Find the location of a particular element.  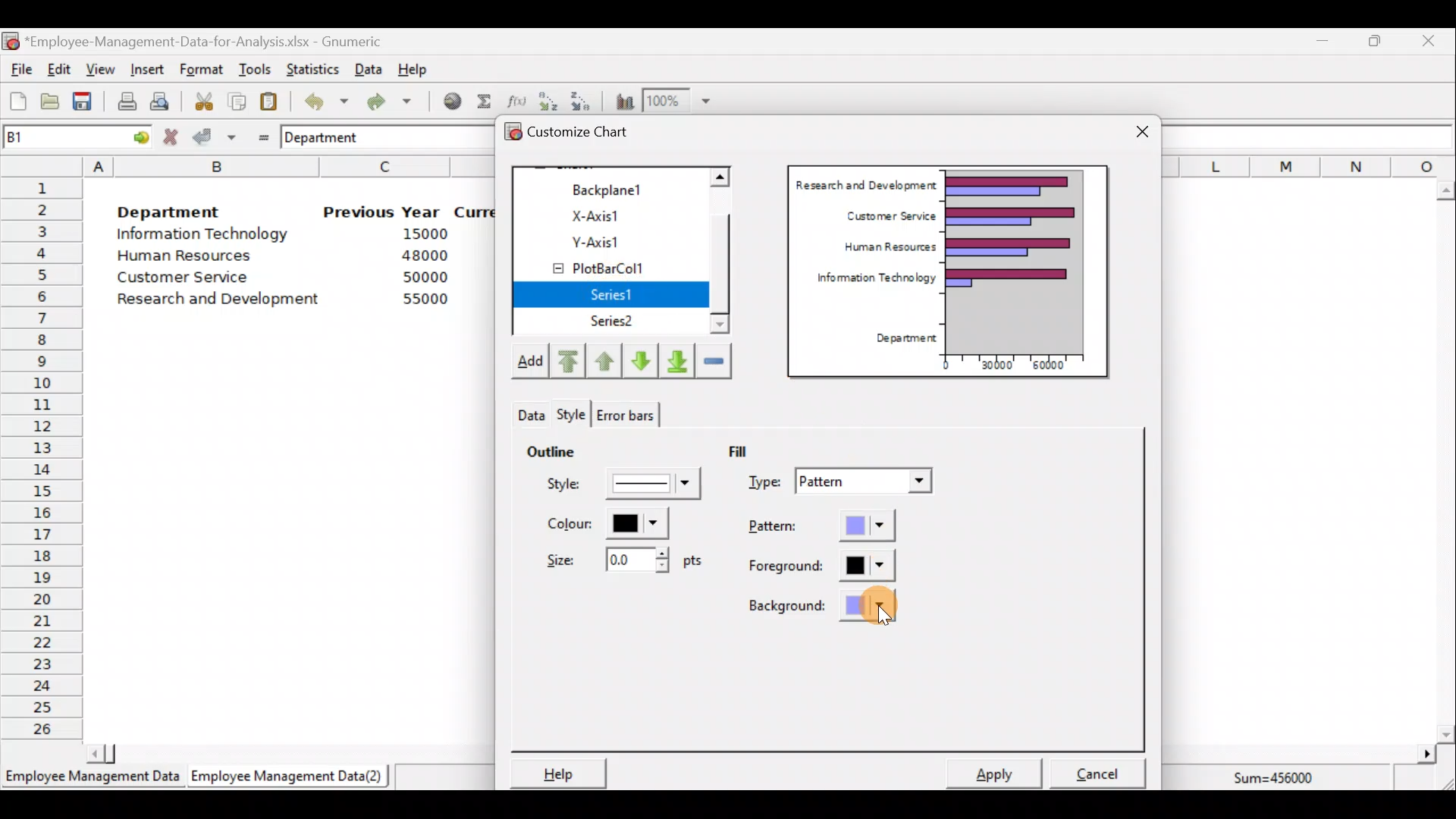

Research and Development is located at coordinates (224, 301).